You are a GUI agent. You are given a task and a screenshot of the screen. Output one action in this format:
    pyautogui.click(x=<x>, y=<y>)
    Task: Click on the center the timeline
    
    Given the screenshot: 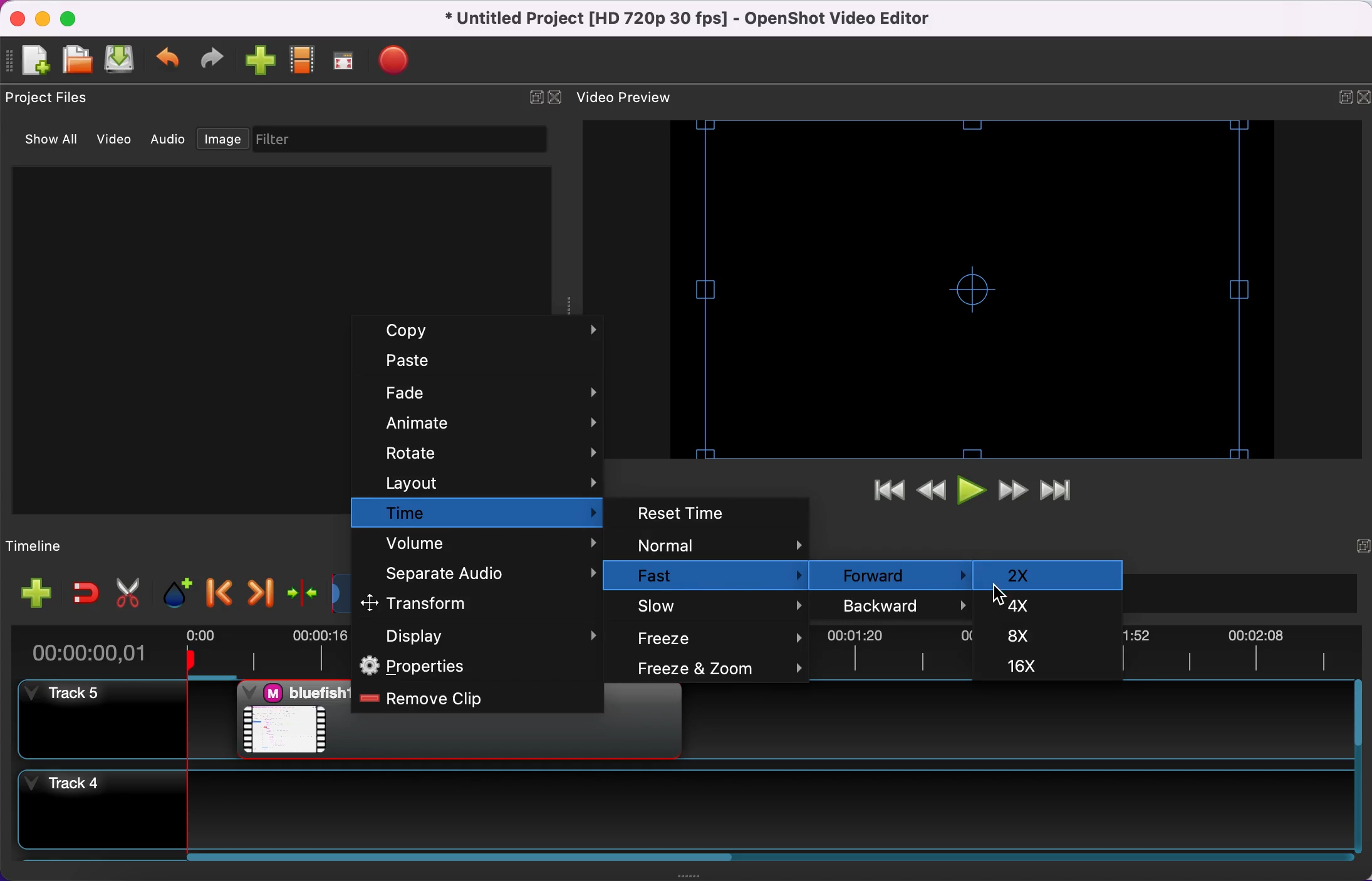 What is the action you would take?
    pyautogui.click(x=302, y=595)
    